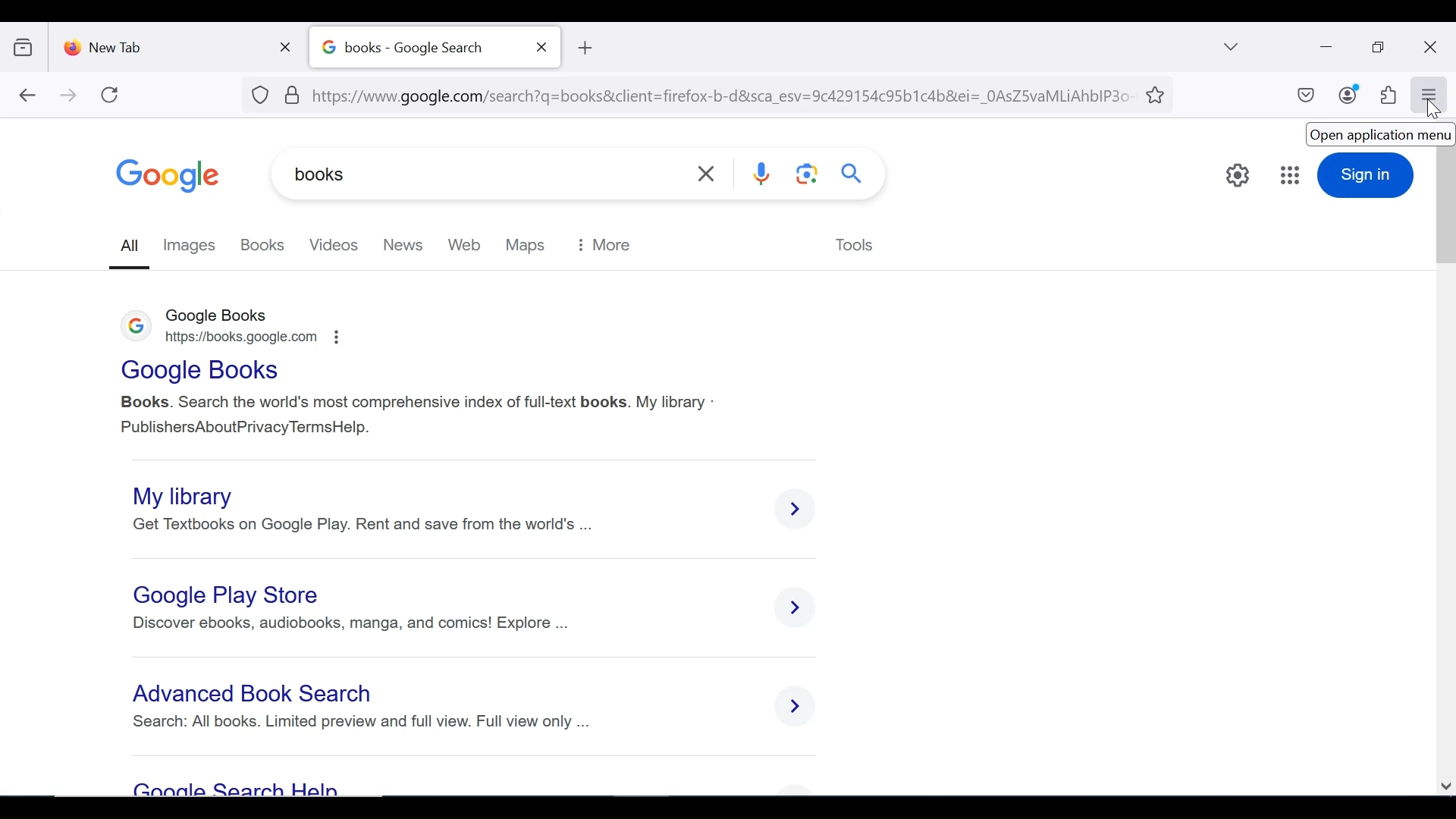  I want to click on search, so click(853, 172).